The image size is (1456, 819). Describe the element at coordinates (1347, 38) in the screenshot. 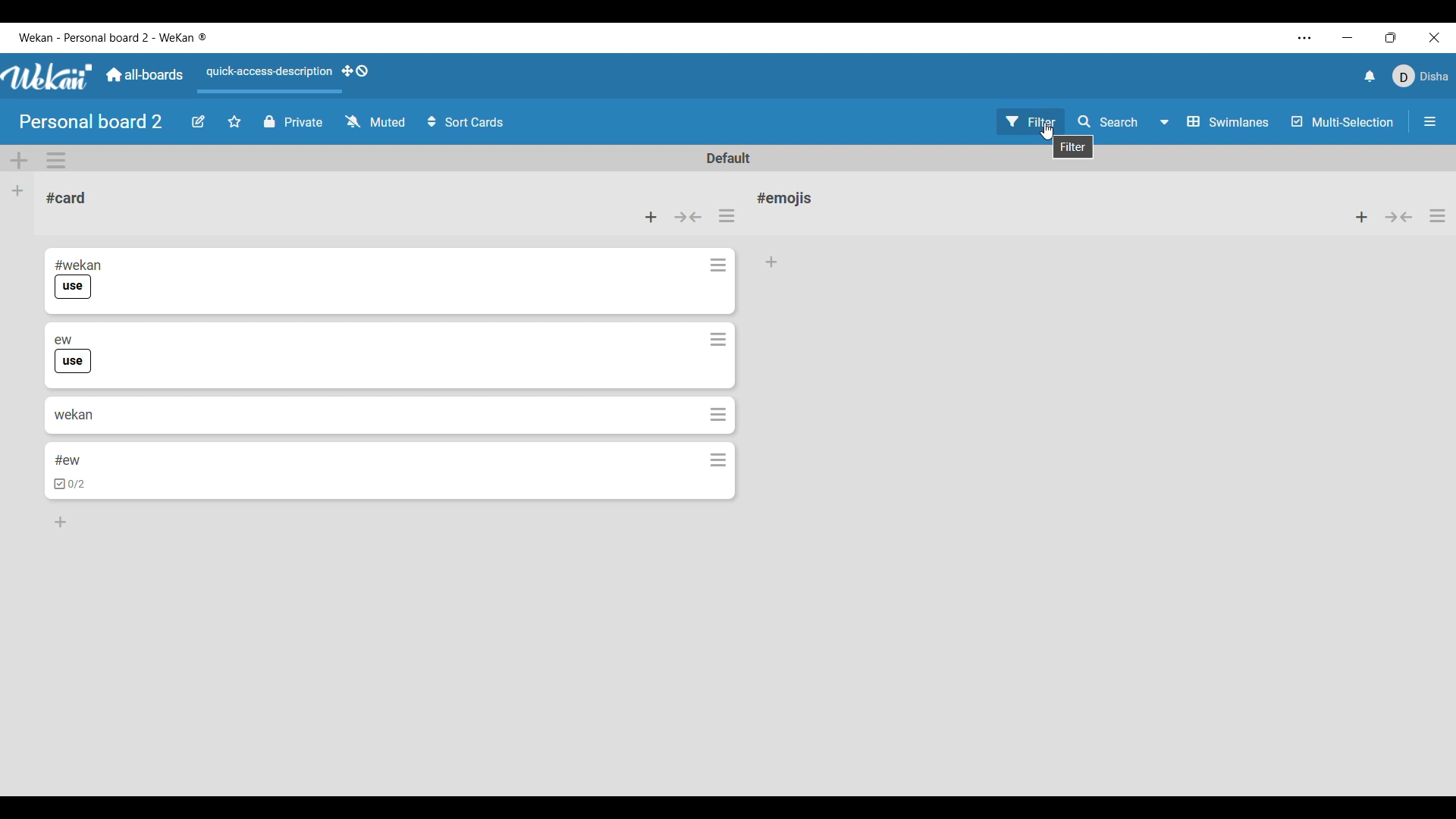

I see `Minimize` at that location.